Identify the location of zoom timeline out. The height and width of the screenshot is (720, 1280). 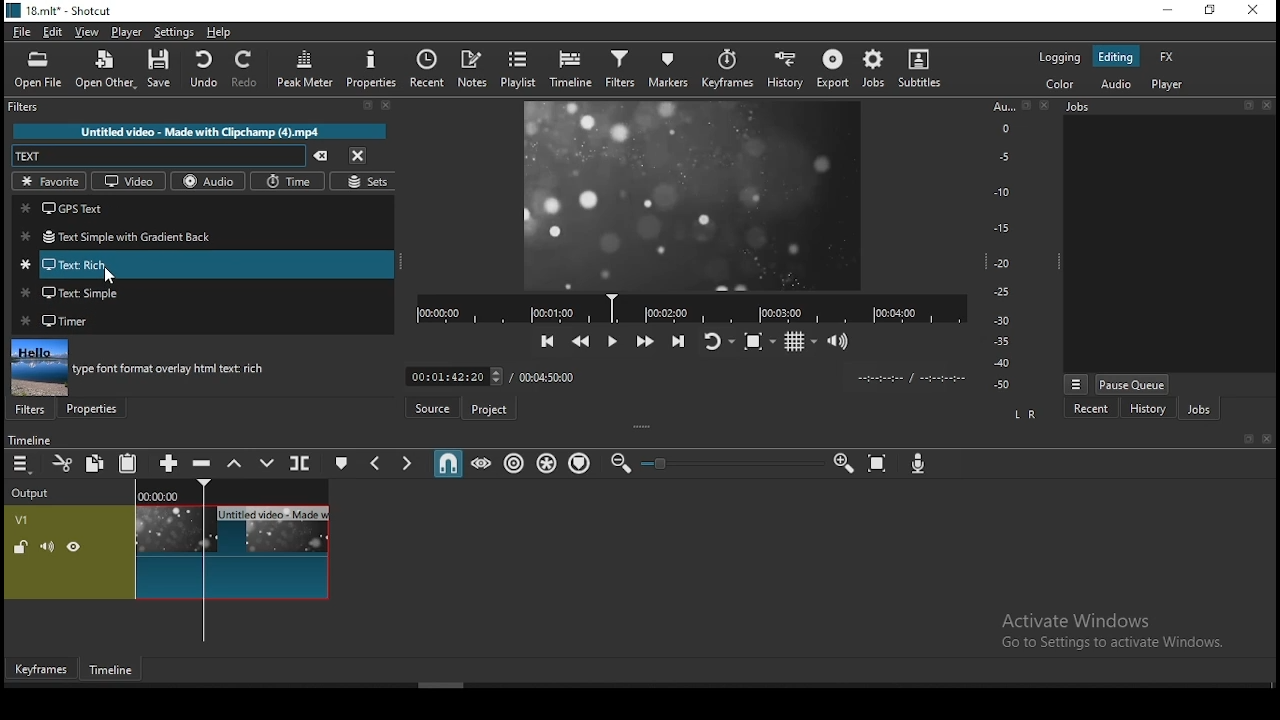
(620, 463).